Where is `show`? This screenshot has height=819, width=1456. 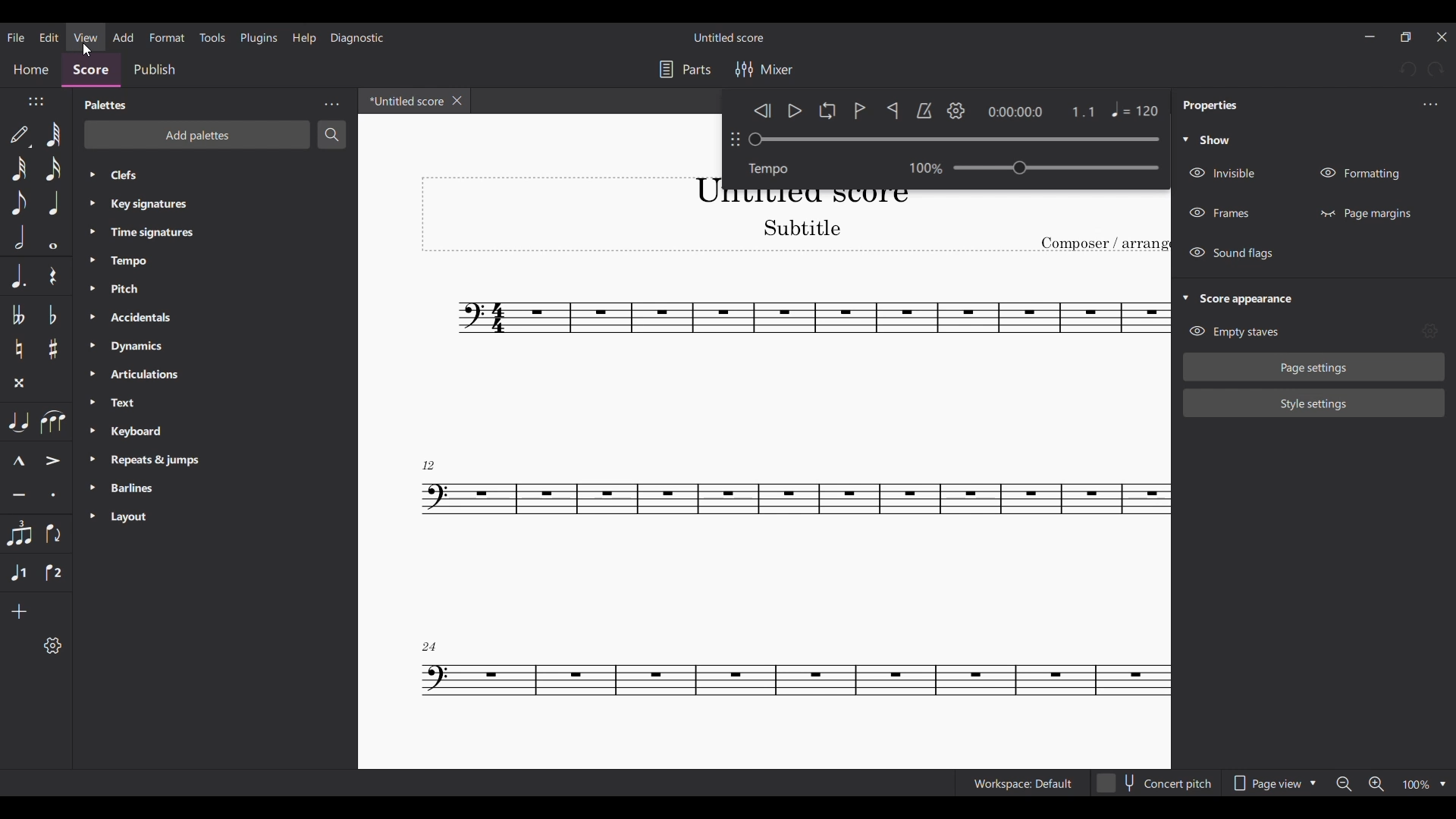 show is located at coordinates (1218, 140).